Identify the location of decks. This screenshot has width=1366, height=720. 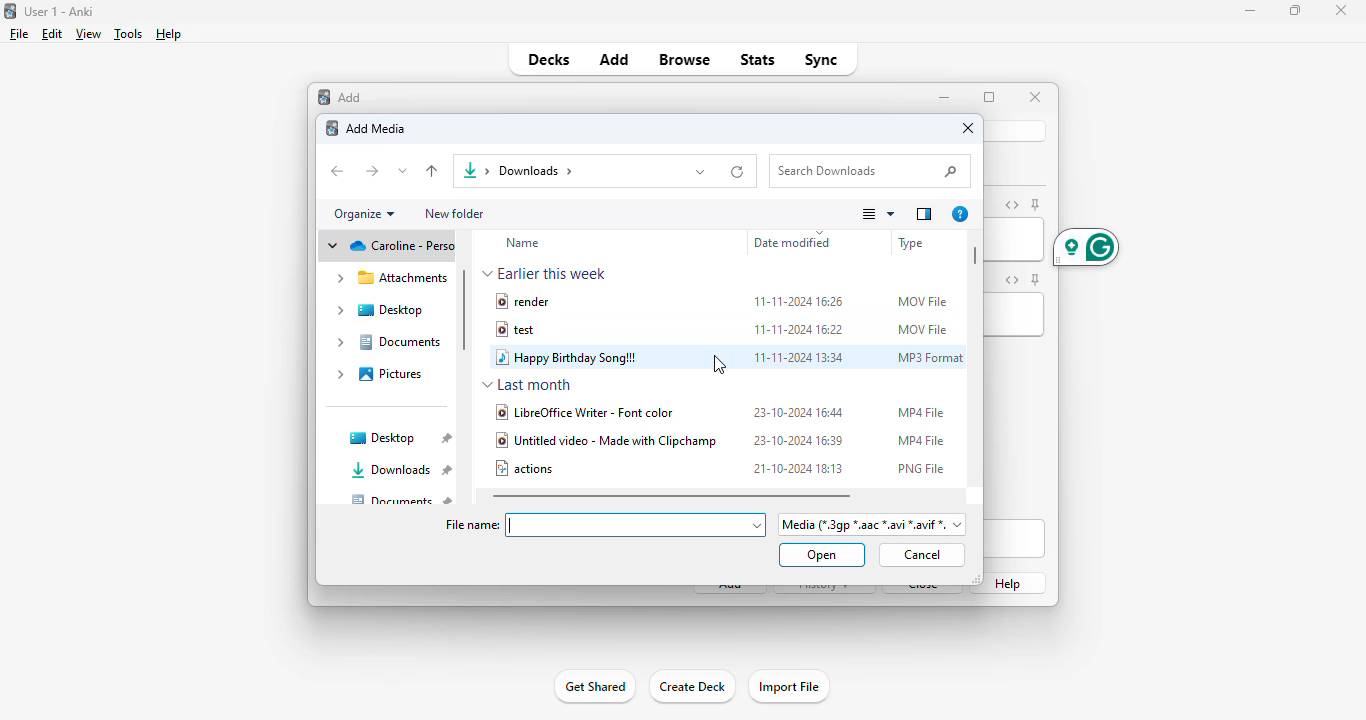
(550, 60).